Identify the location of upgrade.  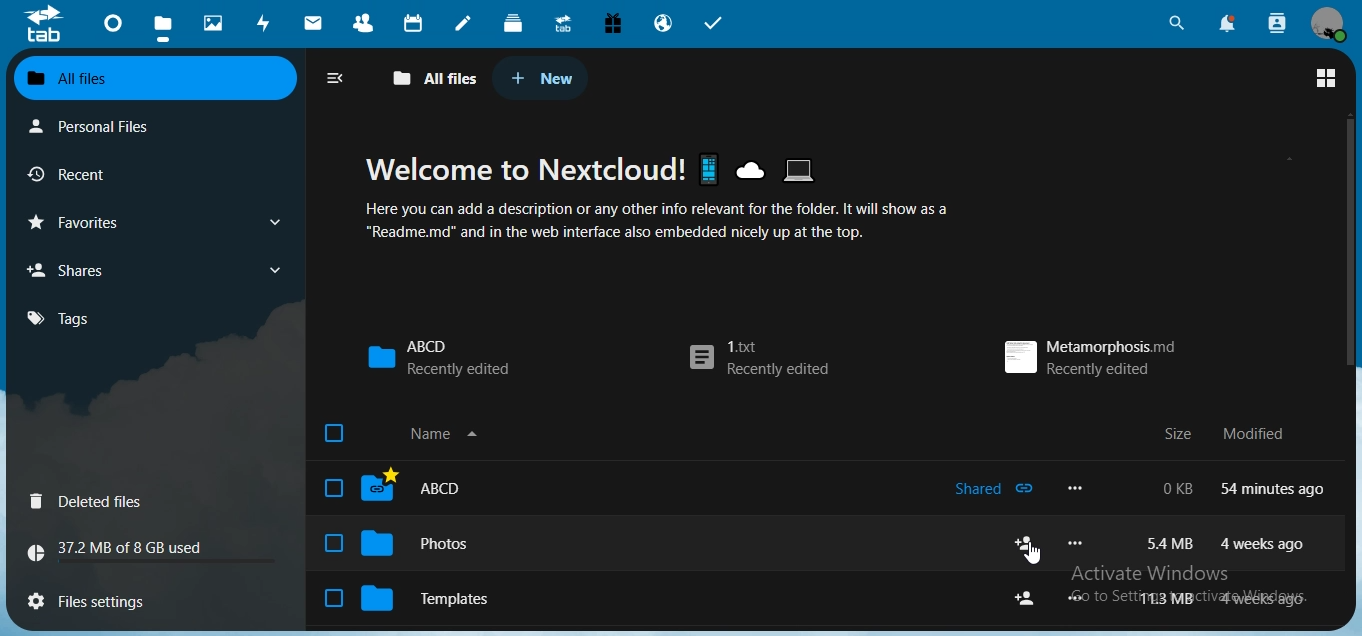
(567, 26).